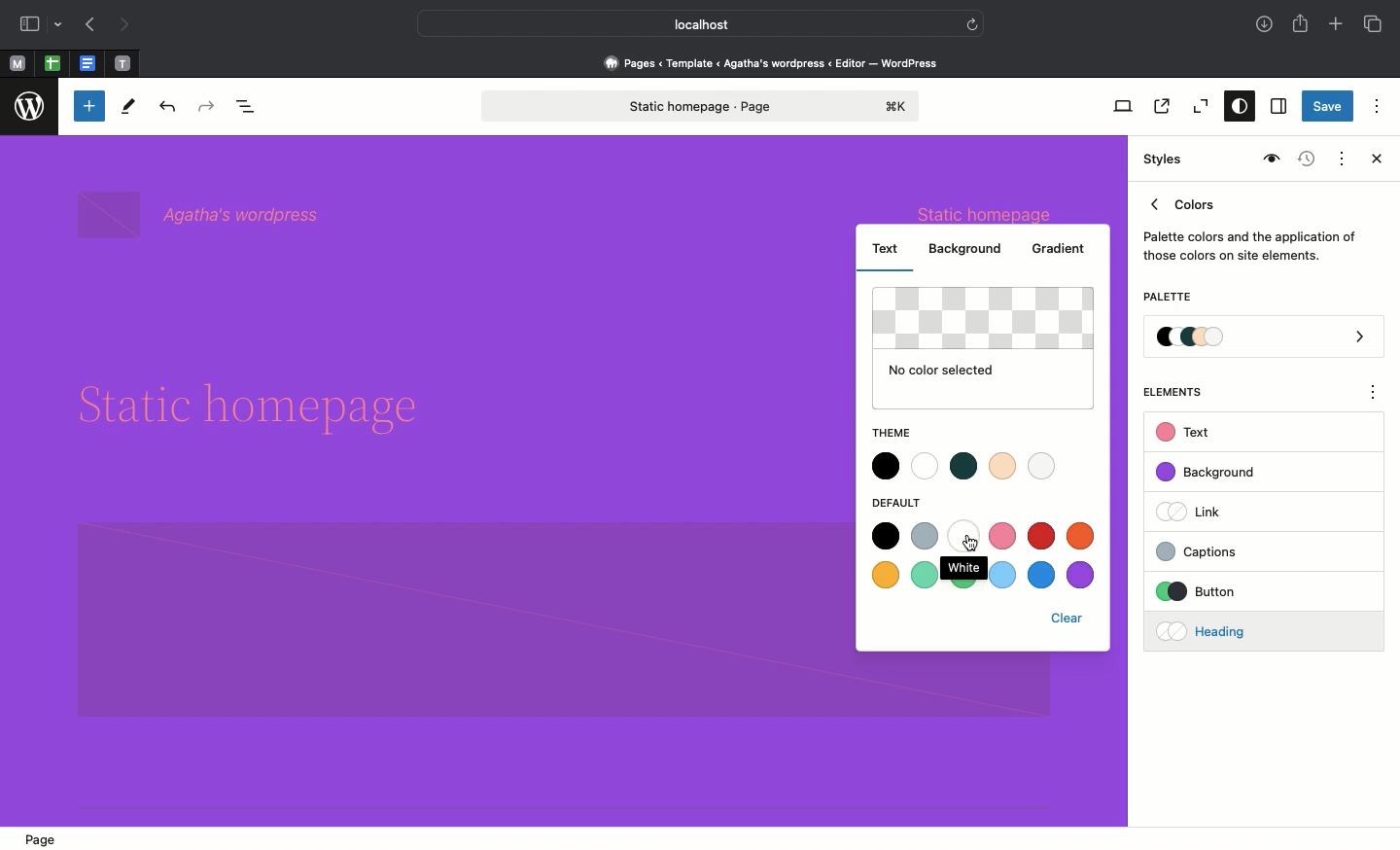  Describe the element at coordinates (1167, 299) in the screenshot. I see `Palette` at that location.